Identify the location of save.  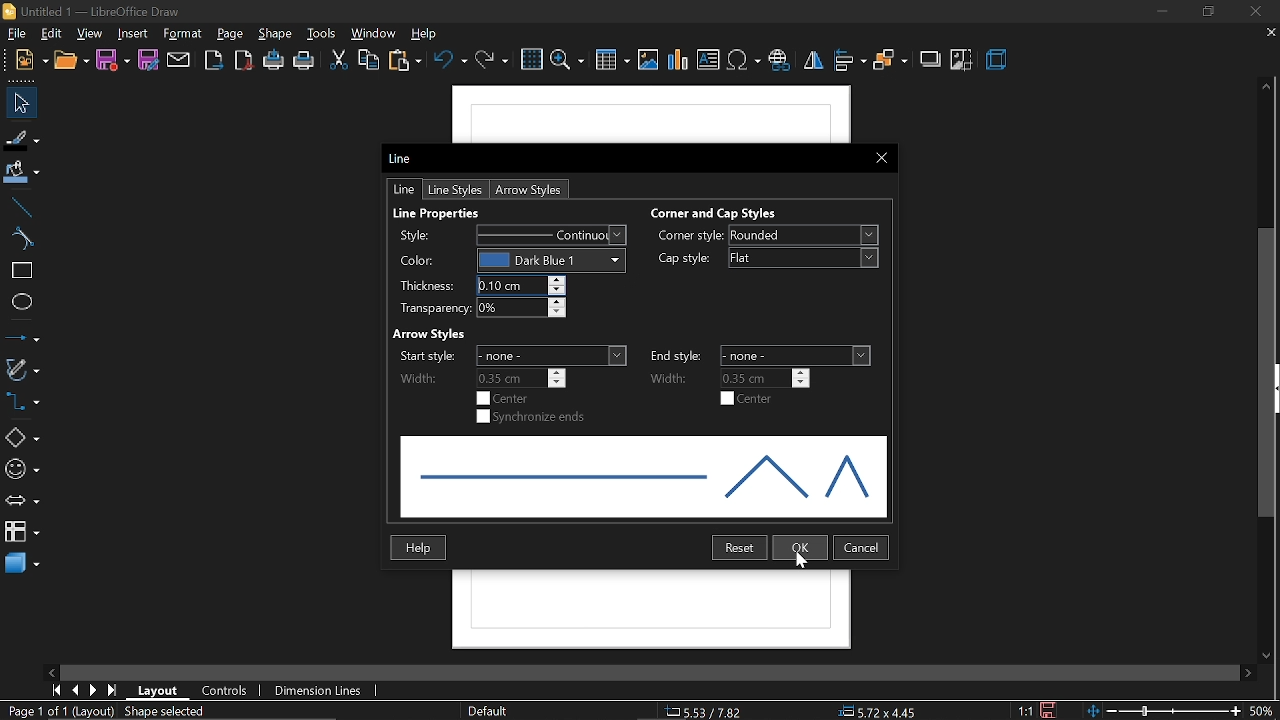
(113, 60).